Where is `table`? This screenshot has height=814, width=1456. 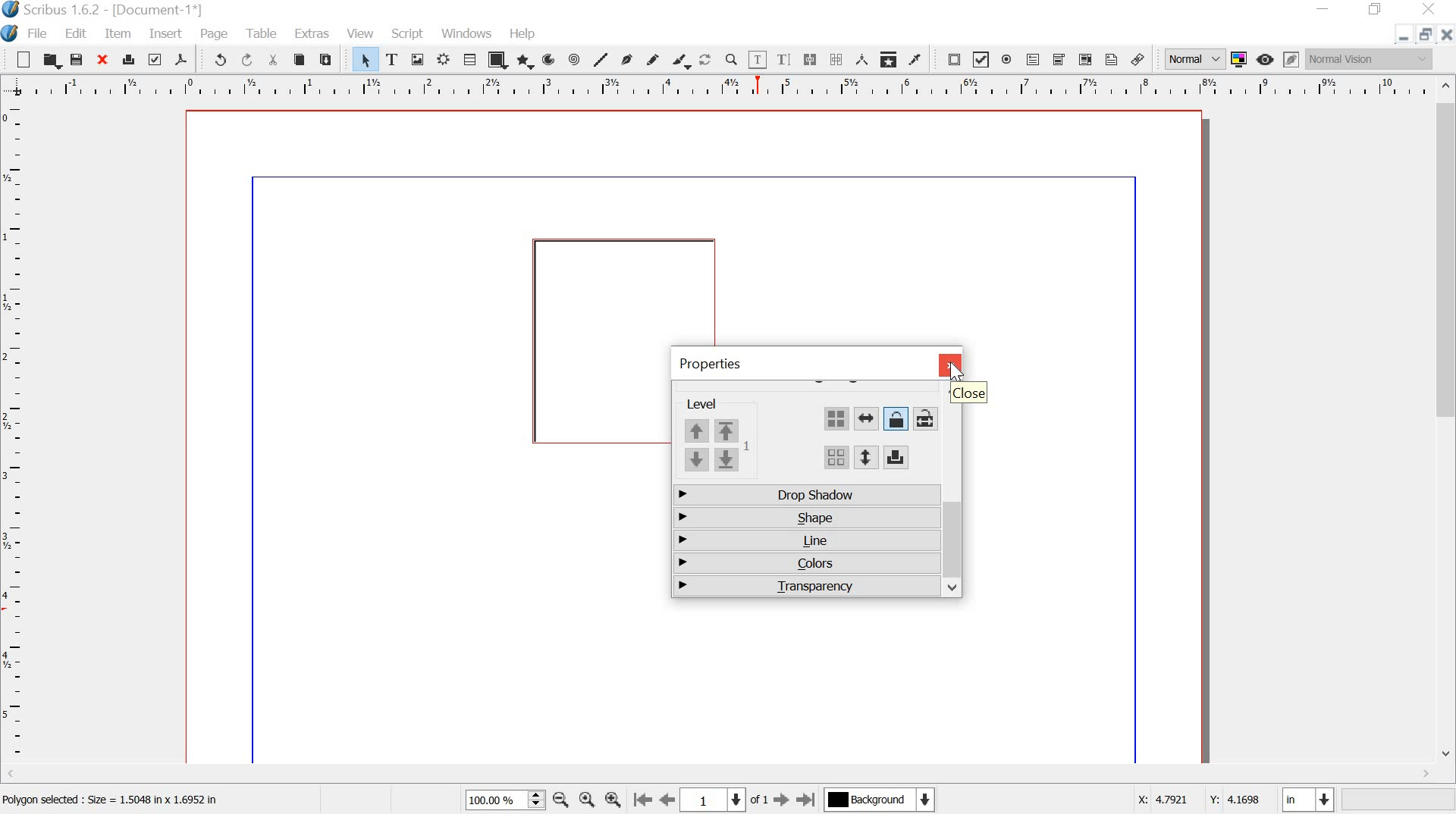
table is located at coordinates (469, 60).